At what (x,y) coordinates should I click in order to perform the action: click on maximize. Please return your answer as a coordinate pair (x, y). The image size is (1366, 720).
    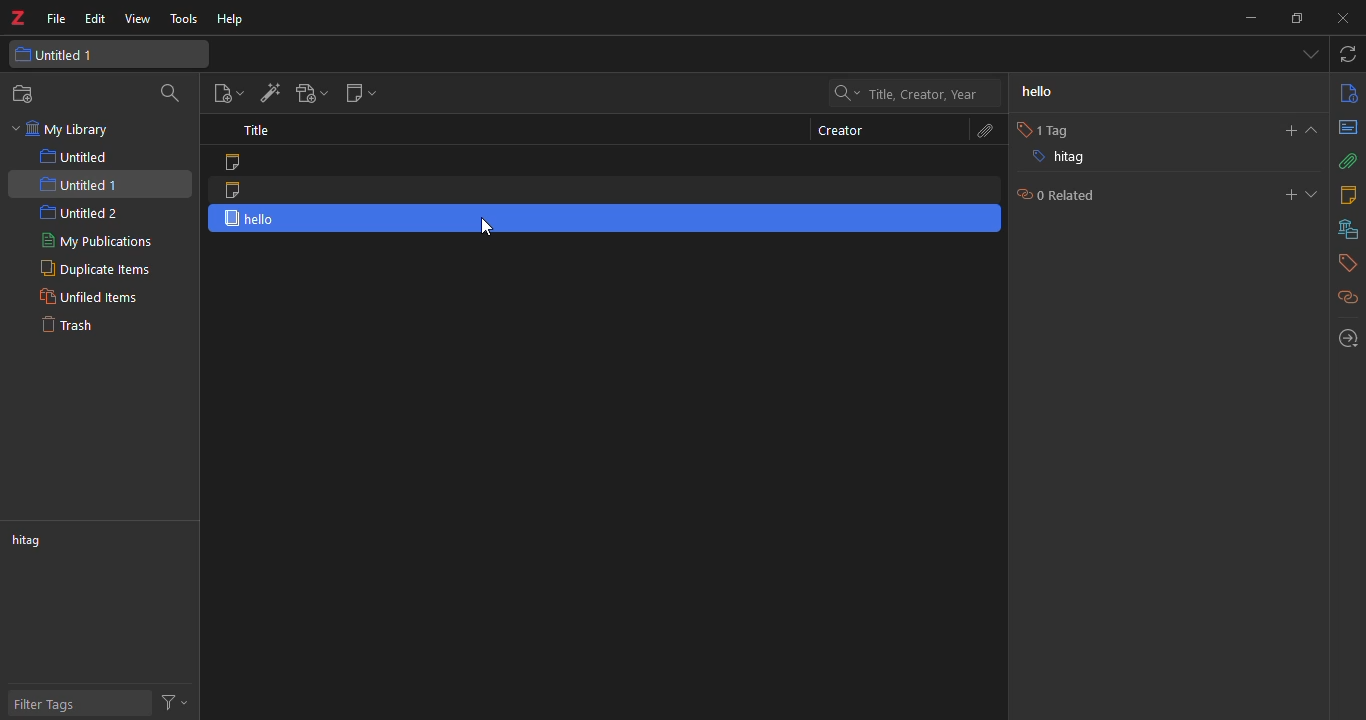
    Looking at the image, I should click on (1294, 18).